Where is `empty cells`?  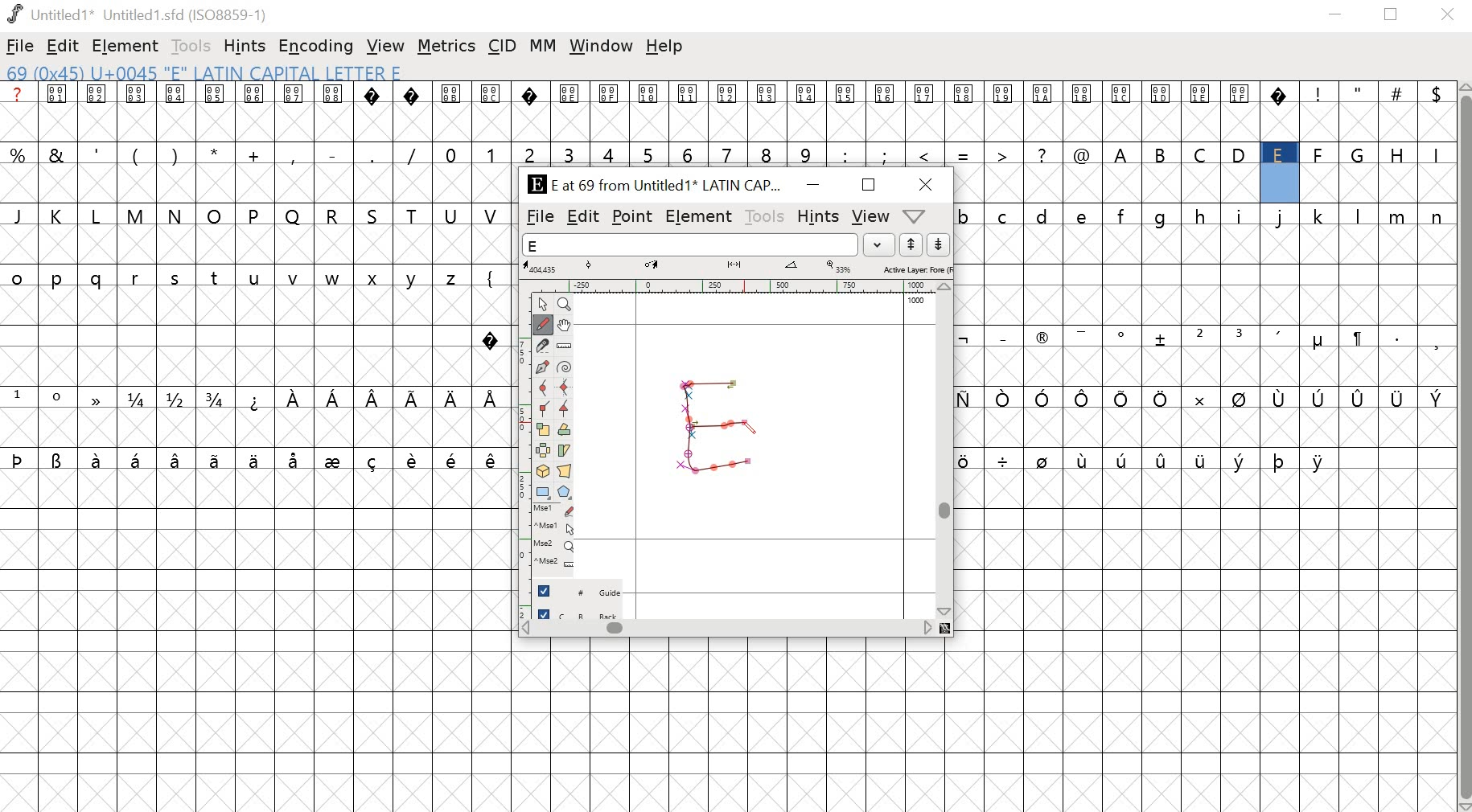
empty cells is located at coordinates (1206, 367).